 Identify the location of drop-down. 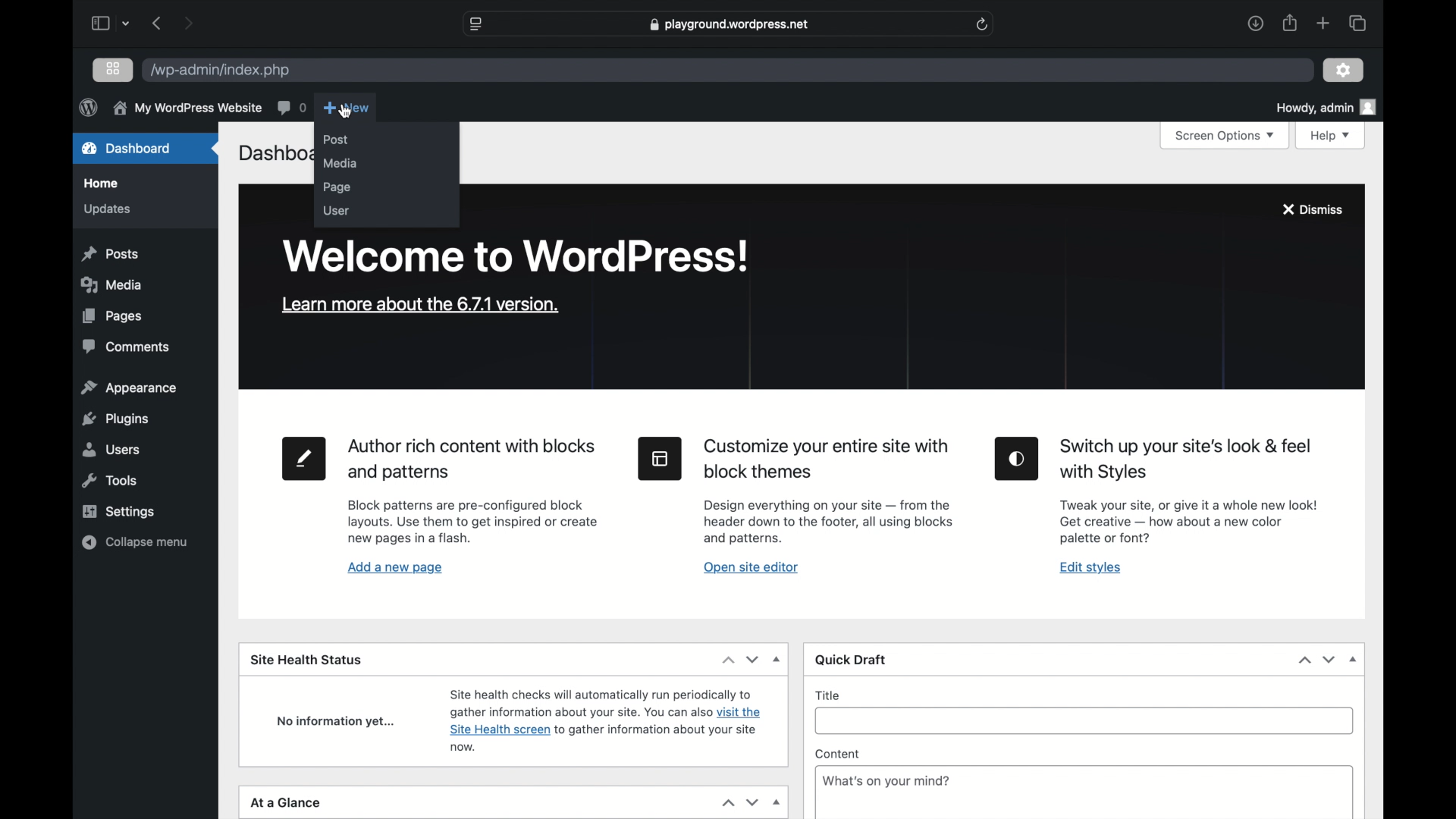
(778, 803).